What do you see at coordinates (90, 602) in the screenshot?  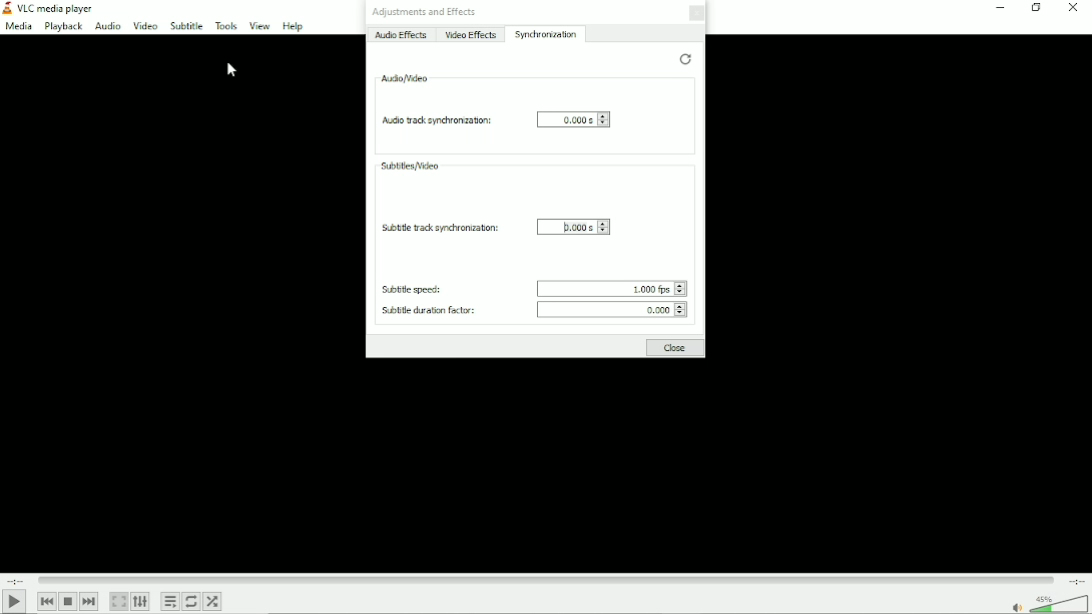 I see `Next` at bounding box center [90, 602].